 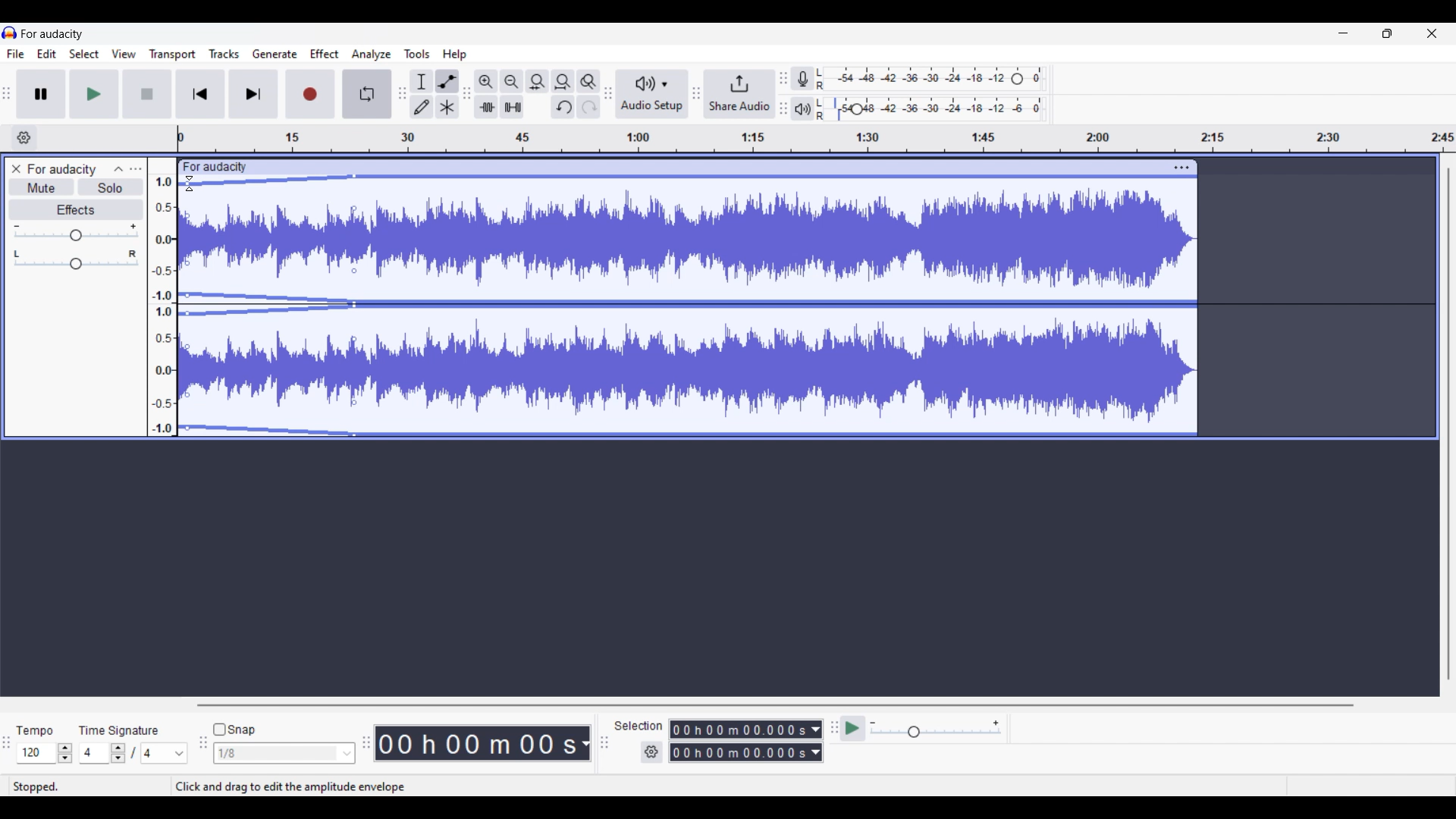 I want to click on Time signature settings, so click(x=134, y=754).